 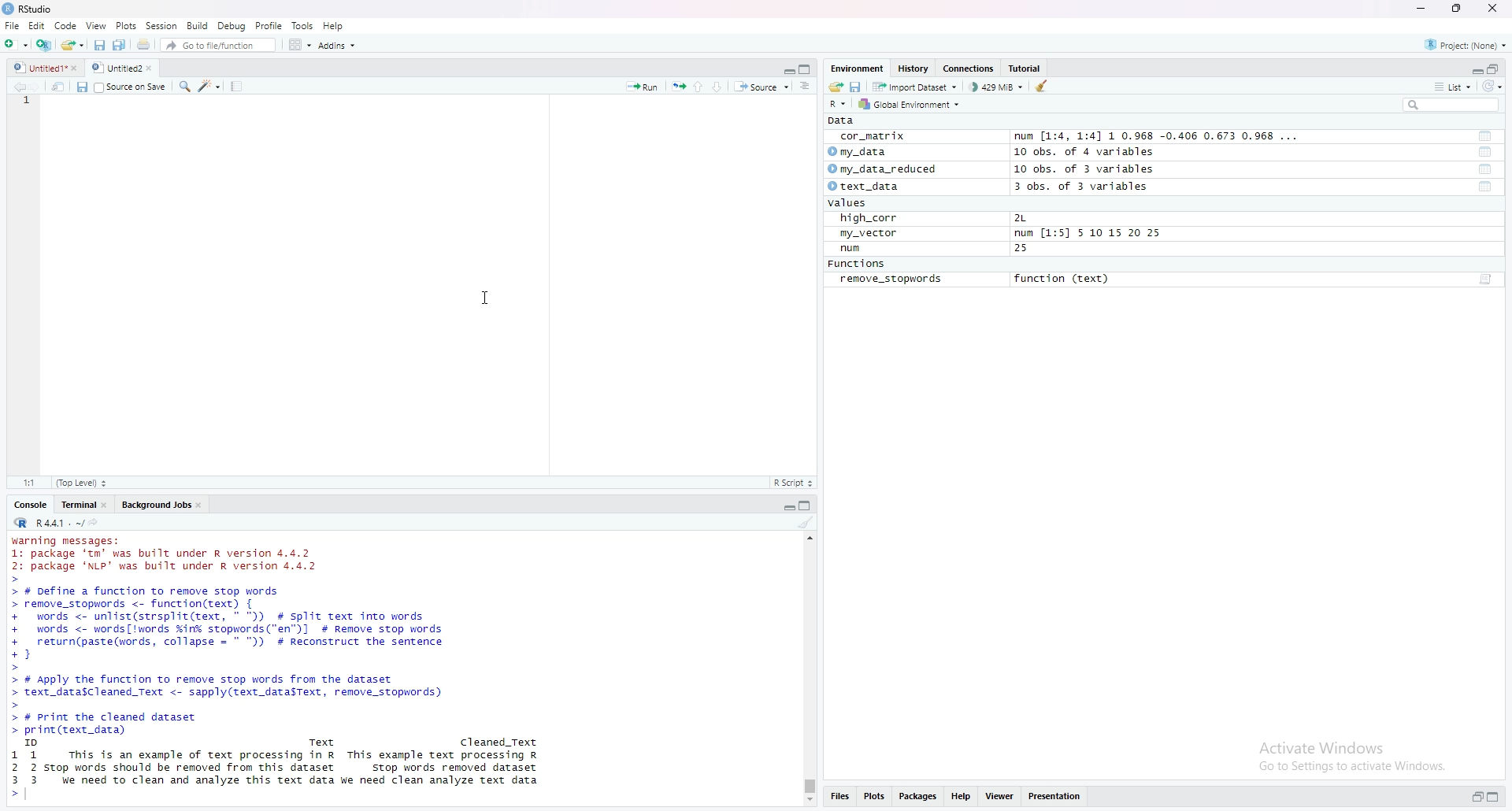 I want to click on Run, so click(x=644, y=87).